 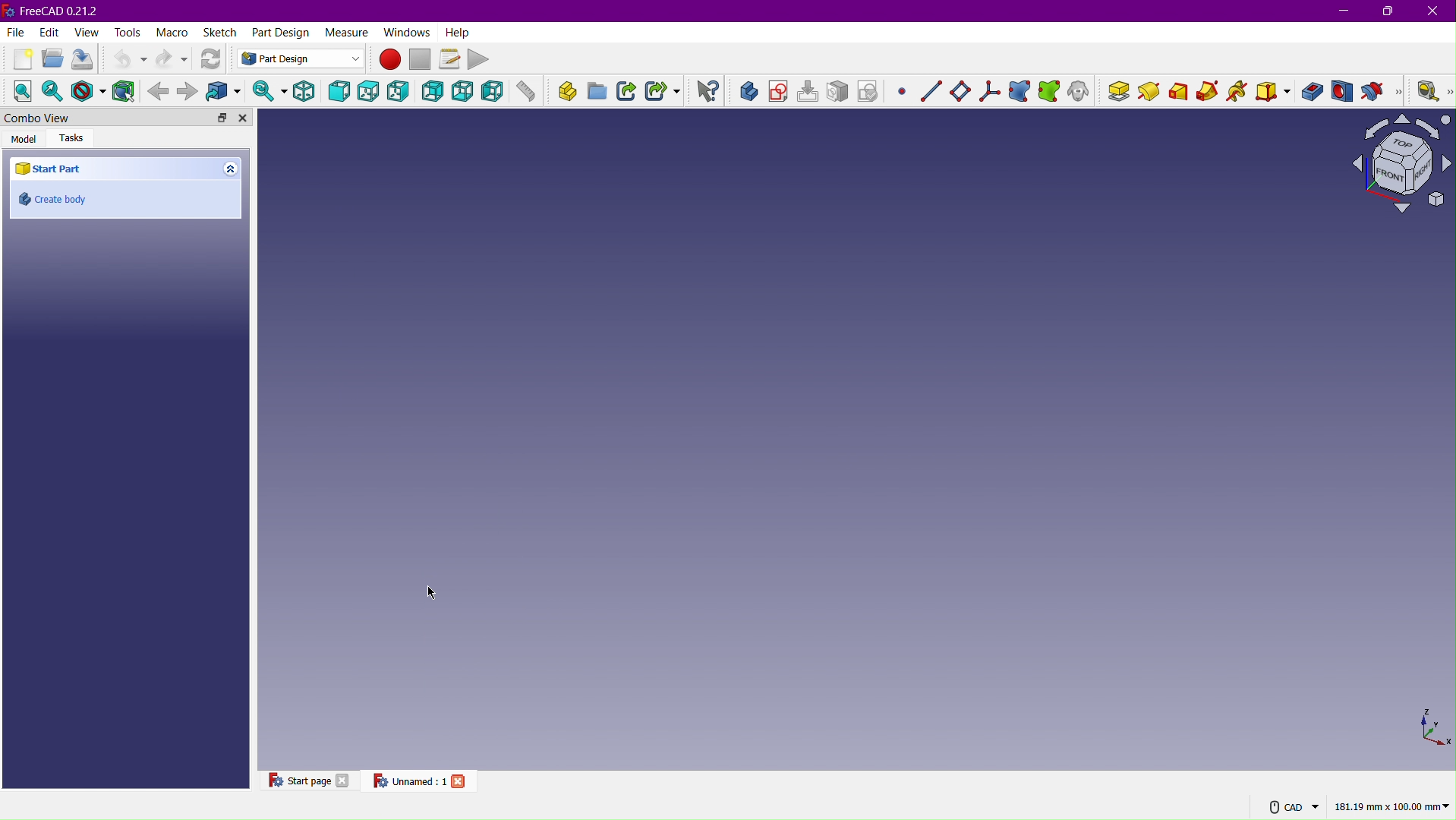 I want to click on Windows, so click(x=408, y=32).